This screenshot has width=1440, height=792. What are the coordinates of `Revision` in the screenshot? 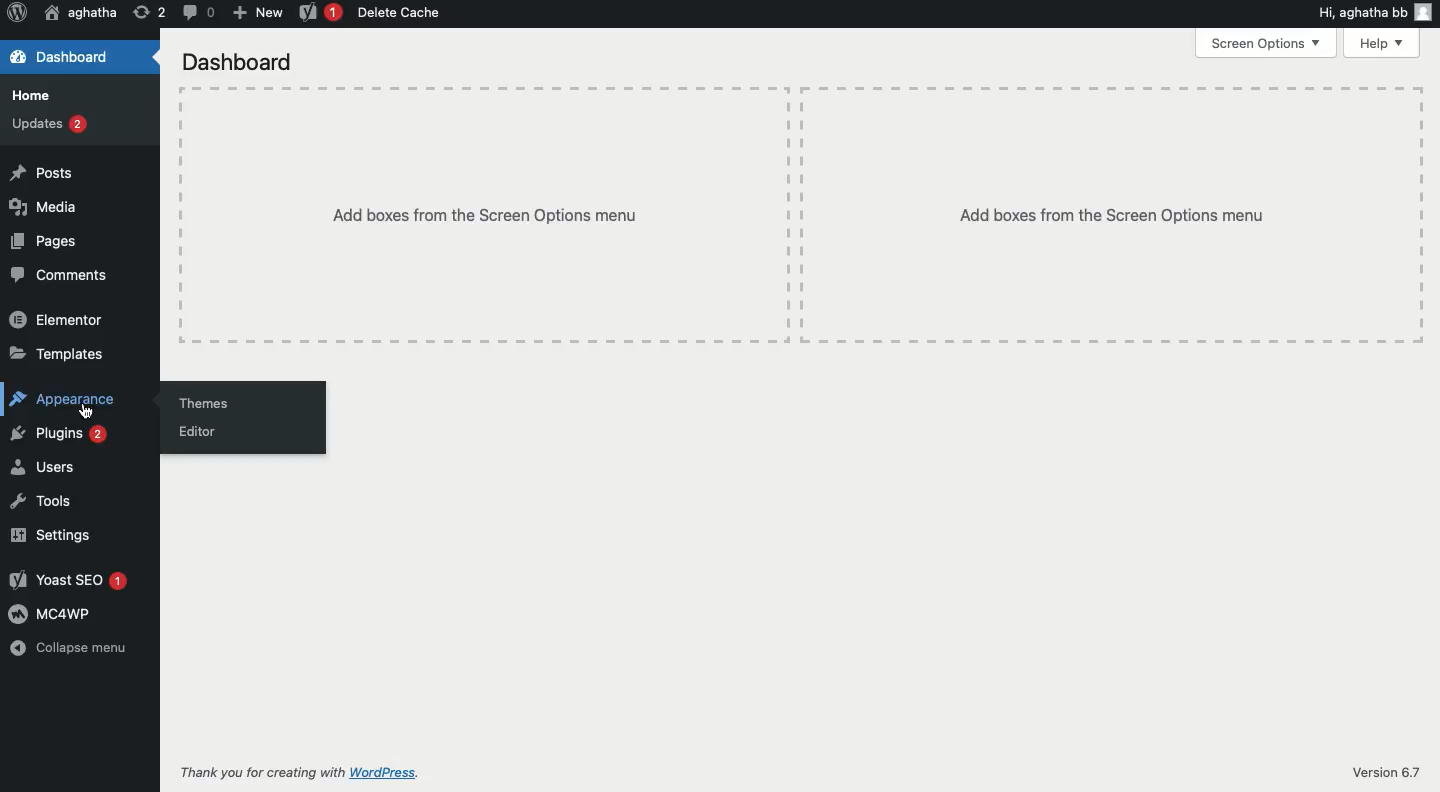 It's located at (151, 13).